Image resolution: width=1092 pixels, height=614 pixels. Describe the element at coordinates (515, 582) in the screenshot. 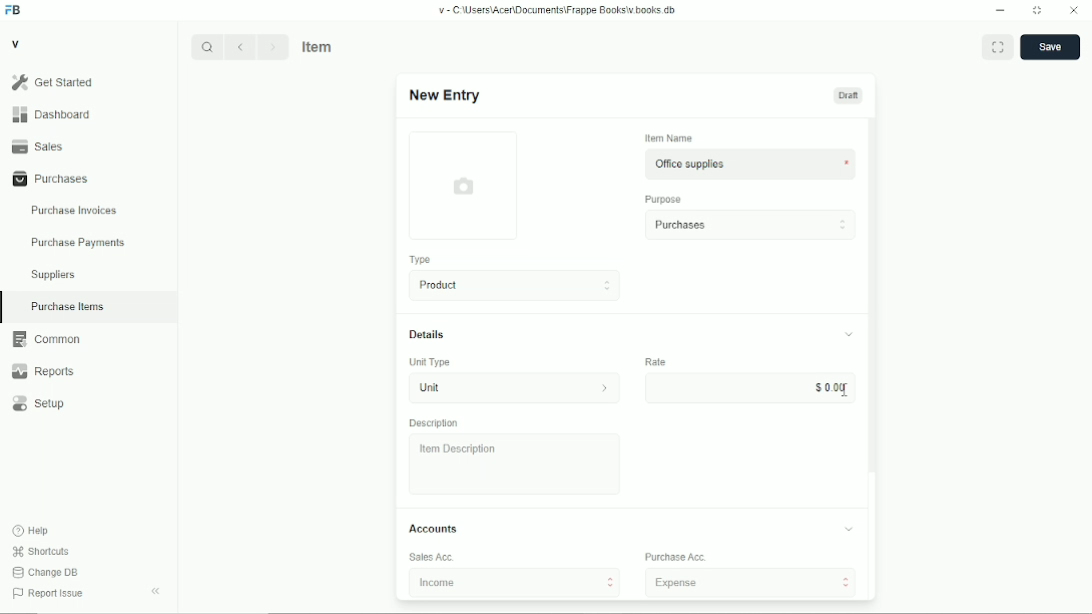

I see `income` at that location.